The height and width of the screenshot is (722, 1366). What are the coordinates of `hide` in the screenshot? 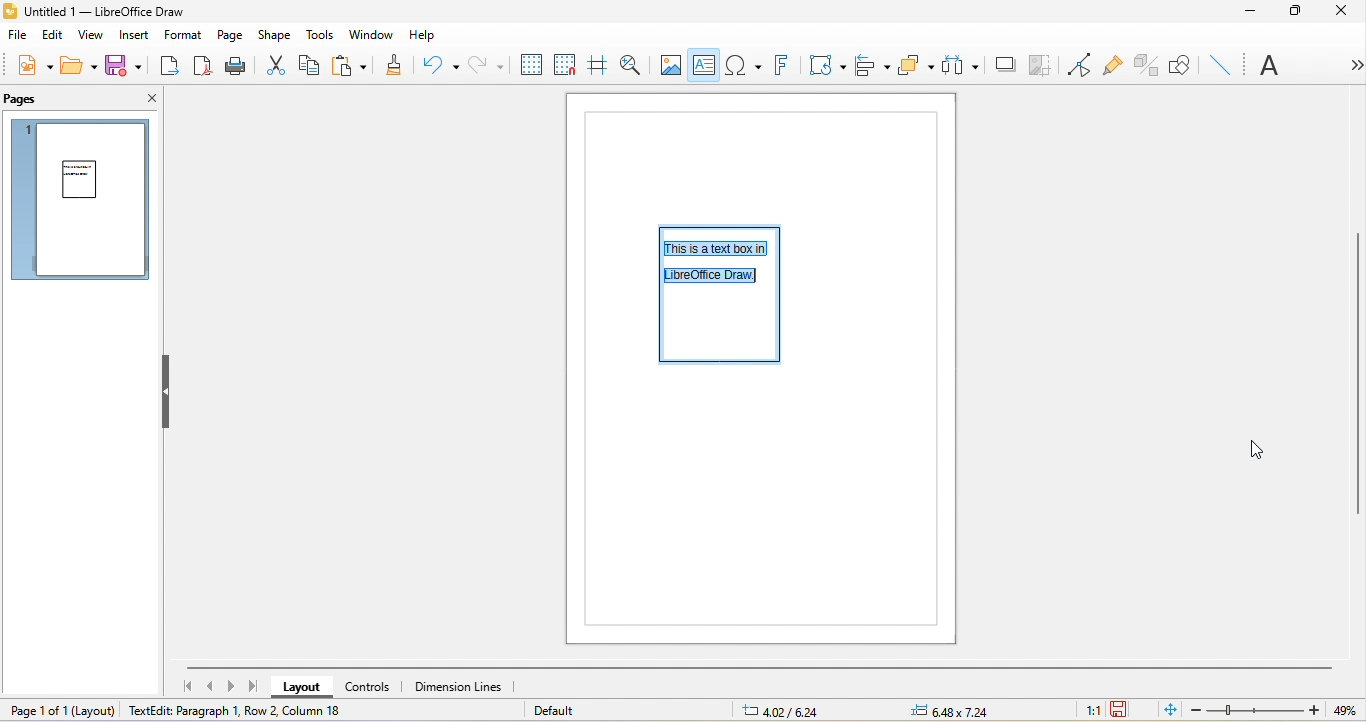 It's located at (168, 392).